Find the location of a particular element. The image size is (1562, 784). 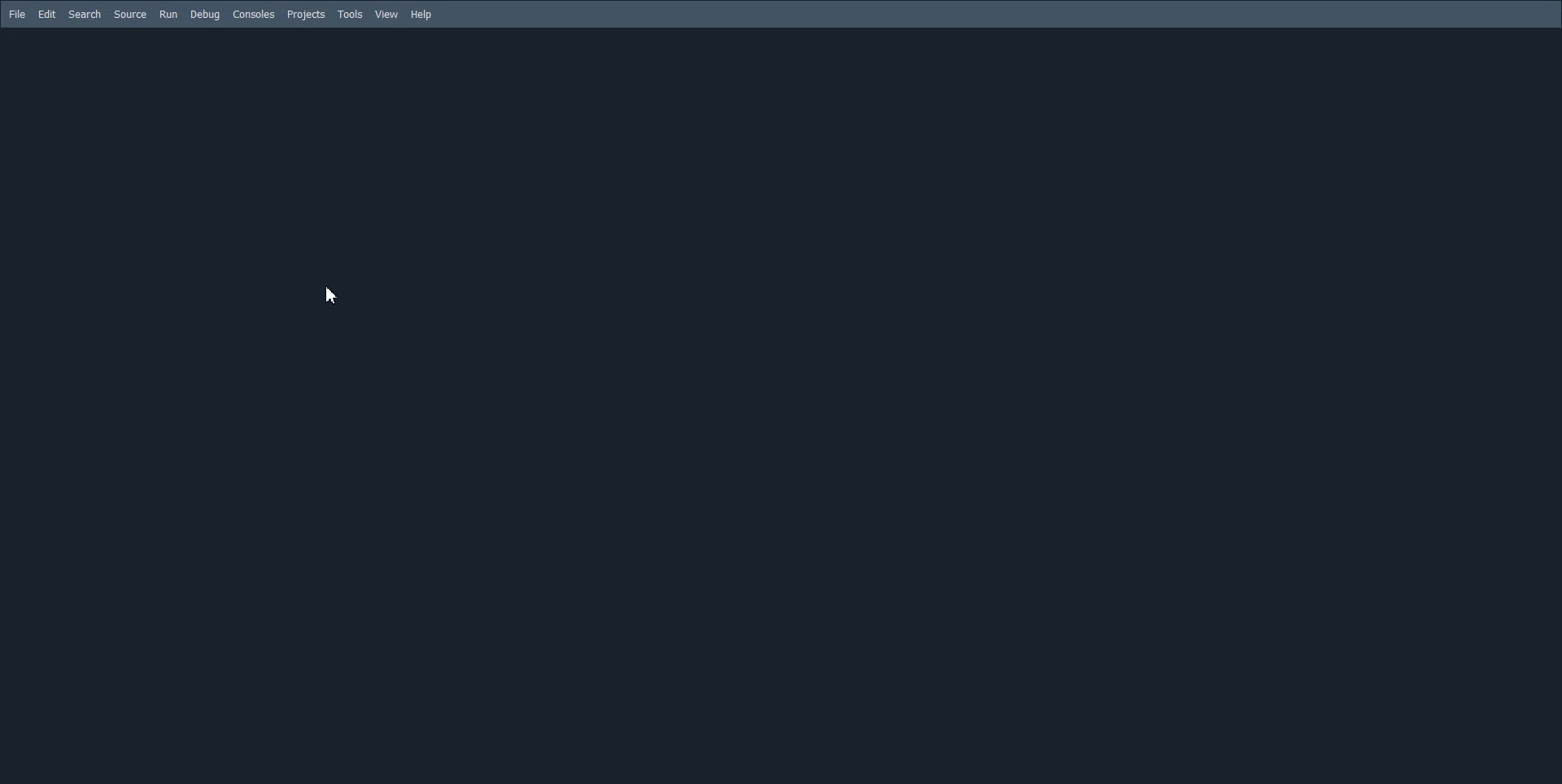

Tools is located at coordinates (350, 14).